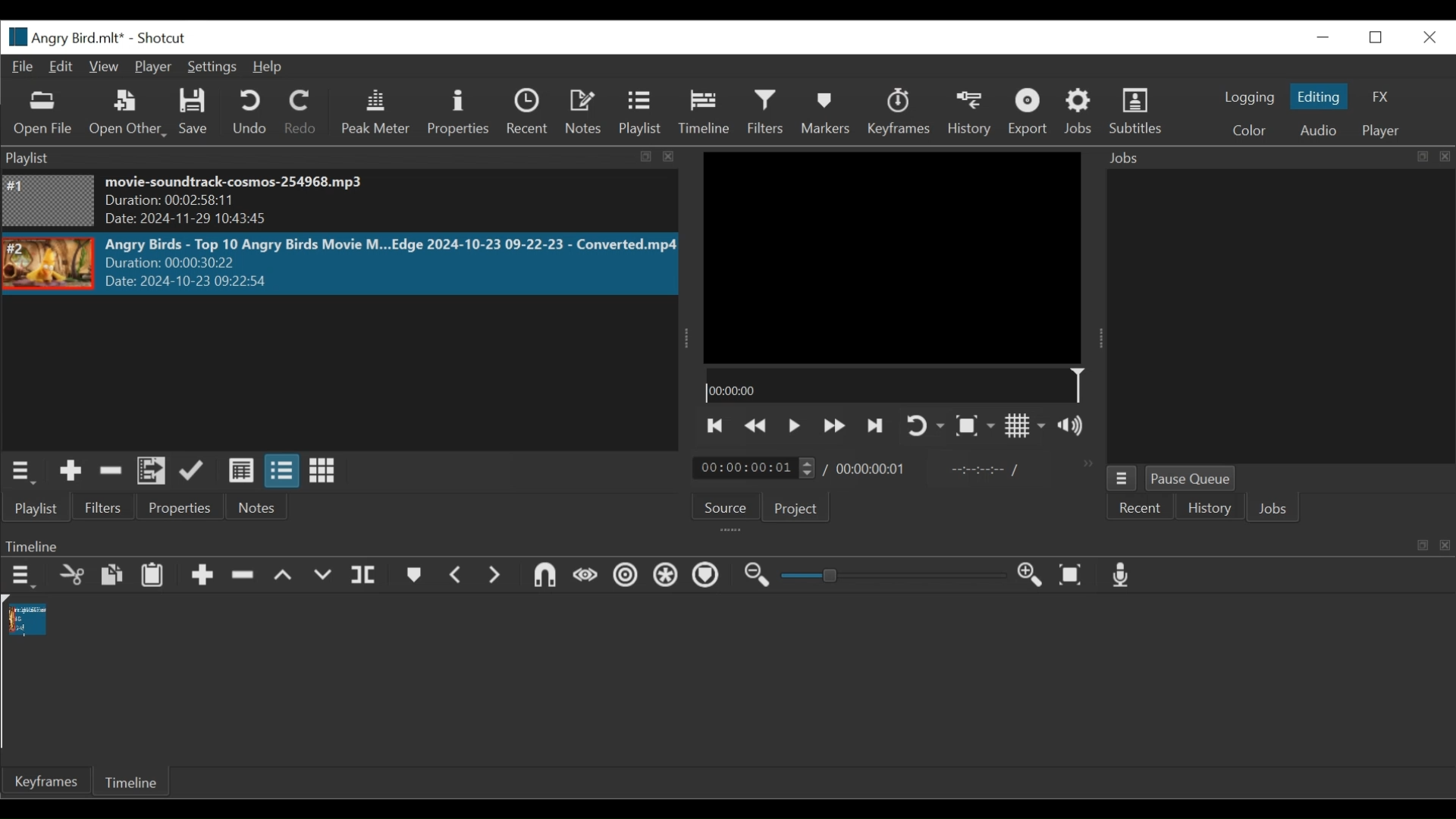 The height and width of the screenshot is (819, 1456). Describe the element at coordinates (717, 426) in the screenshot. I see `Skip to the next point` at that location.